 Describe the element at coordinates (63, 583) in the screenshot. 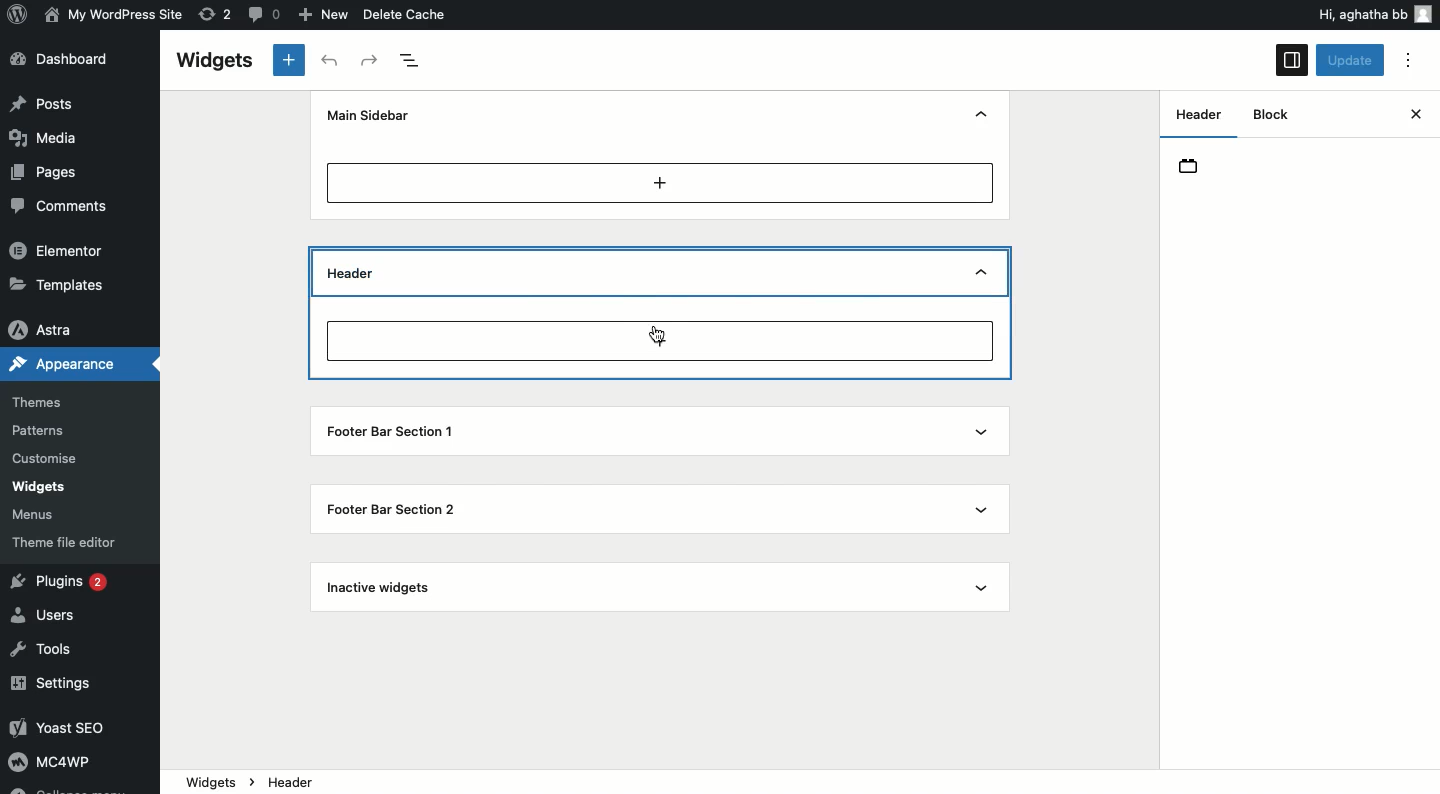

I see `Plugins` at that location.